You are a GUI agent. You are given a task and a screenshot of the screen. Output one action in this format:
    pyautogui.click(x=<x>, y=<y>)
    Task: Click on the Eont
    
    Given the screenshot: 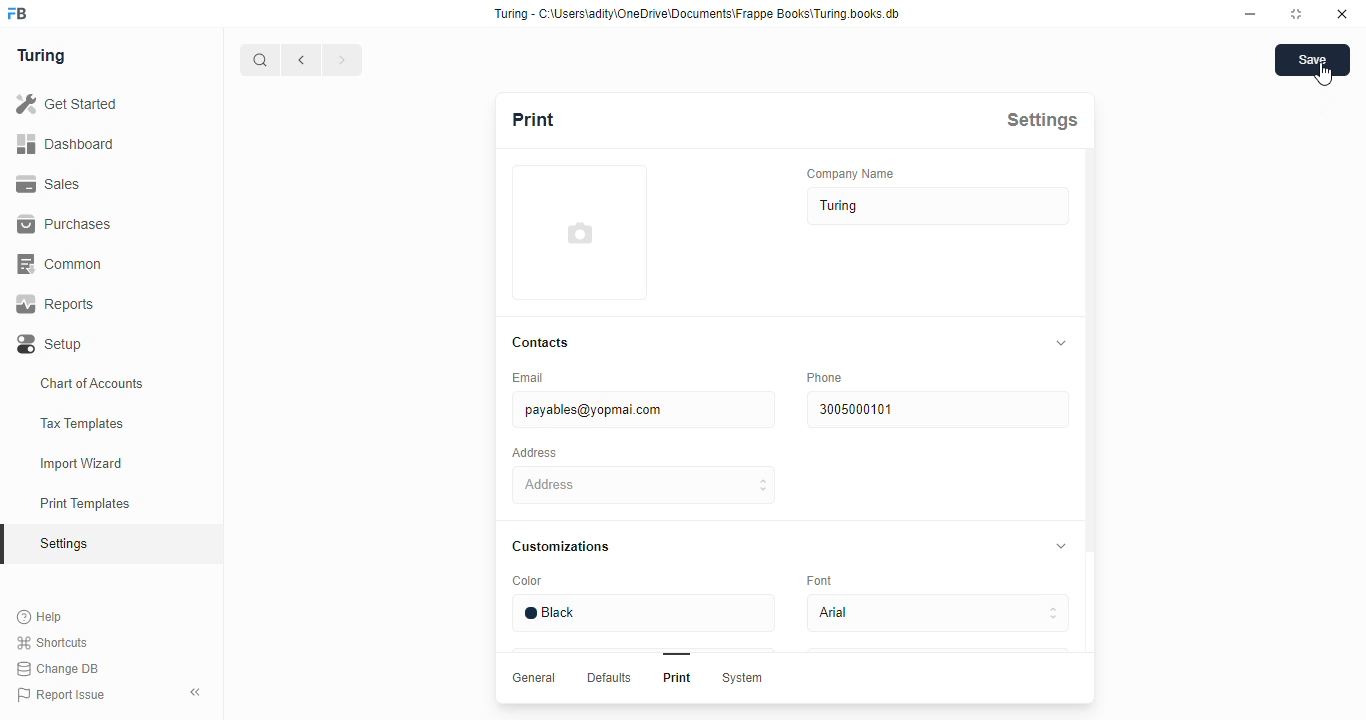 What is the action you would take?
    pyautogui.click(x=822, y=578)
    